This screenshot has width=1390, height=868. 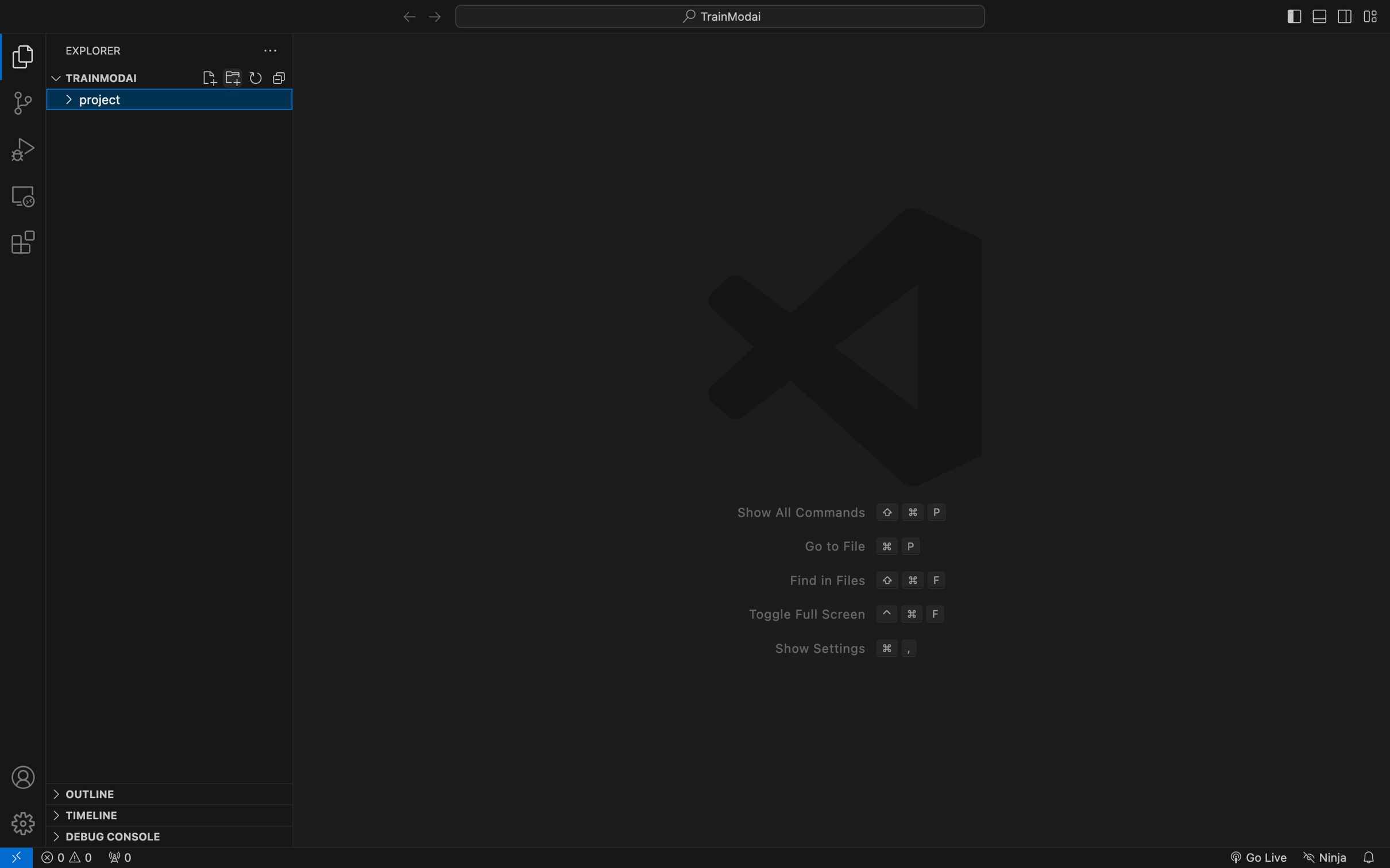 What do you see at coordinates (1256, 856) in the screenshot?
I see `Go live extension` at bounding box center [1256, 856].